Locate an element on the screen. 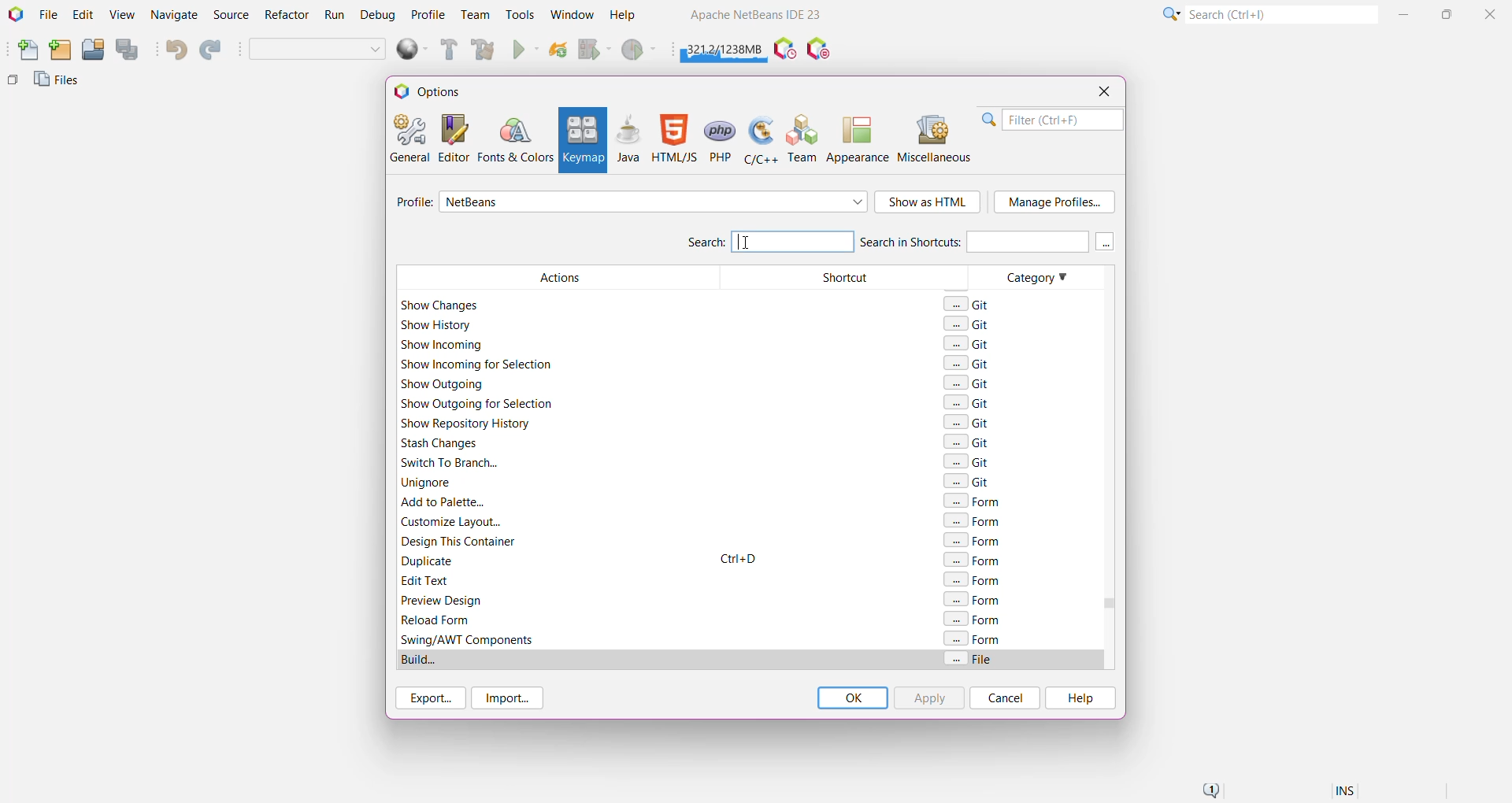 Image resolution: width=1512 pixels, height=803 pixels. HTML/JS is located at coordinates (673, 139).